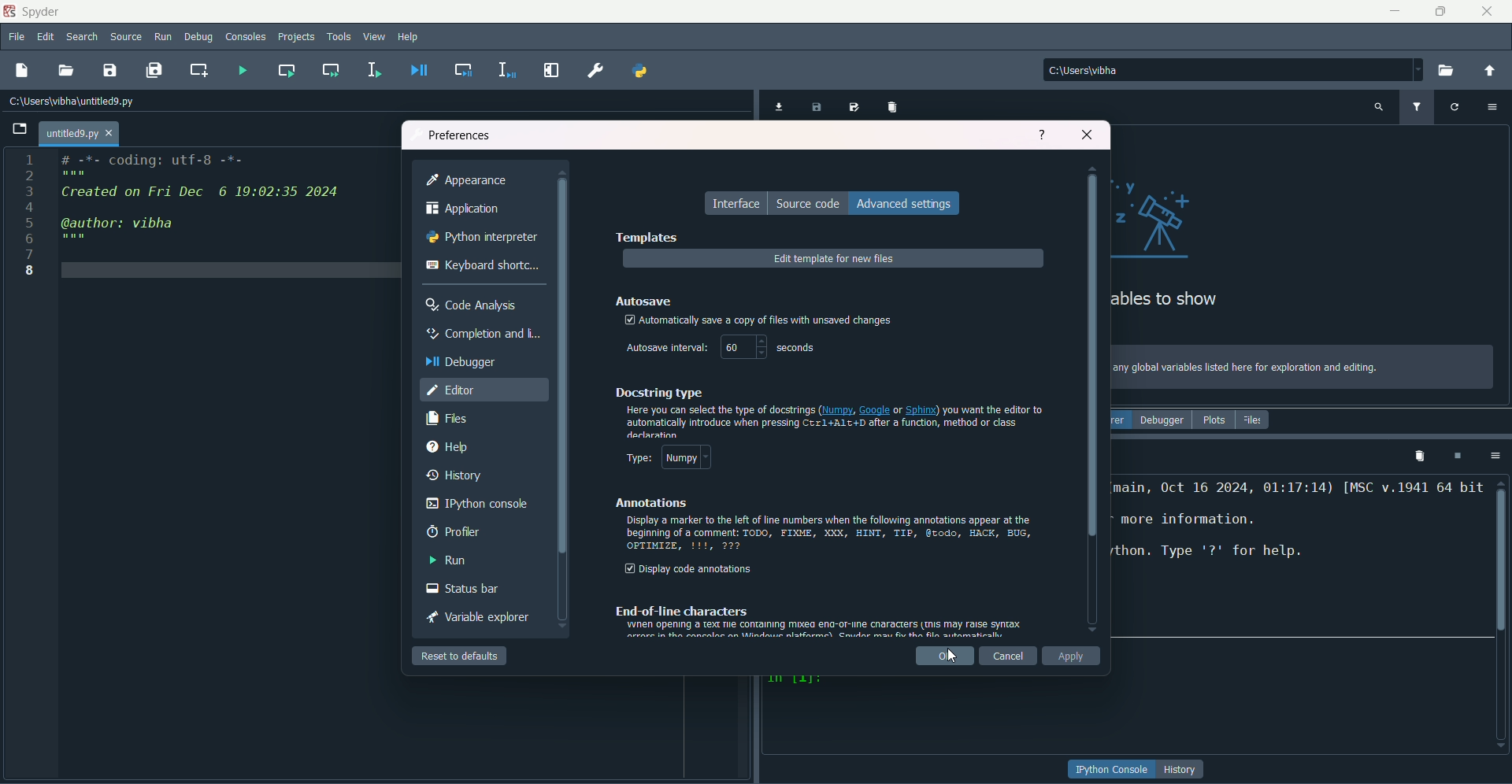 This screenshot has height=784, width=1512. Describe the element at coordinates (469, 179) in the screenshot. I see `appearance` at that location.